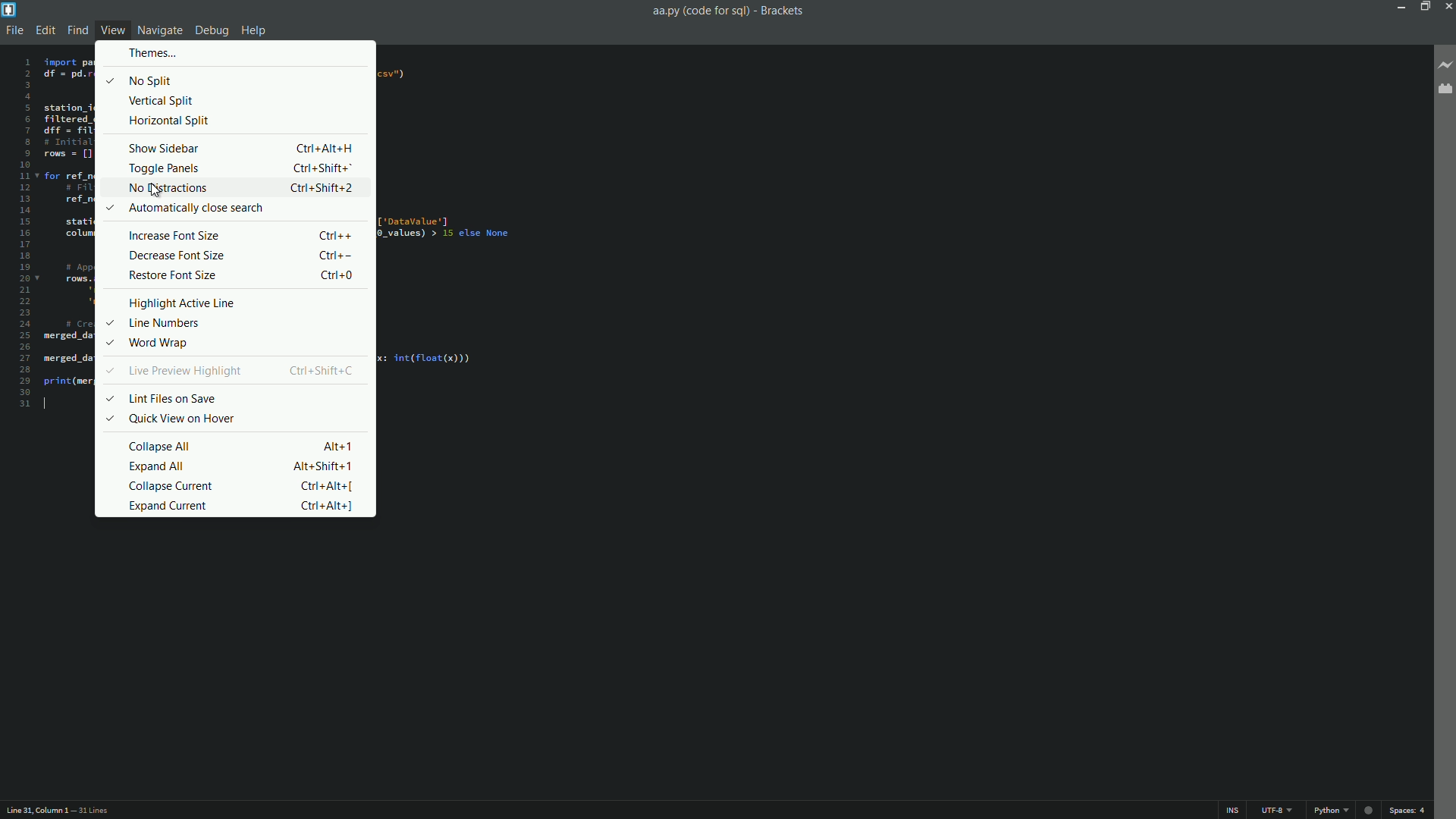 The height and width of the screenshot is (819, 1456). Describe the element at coordinates (246, 302) in the screenshot. I see `highlight active line` at that location.